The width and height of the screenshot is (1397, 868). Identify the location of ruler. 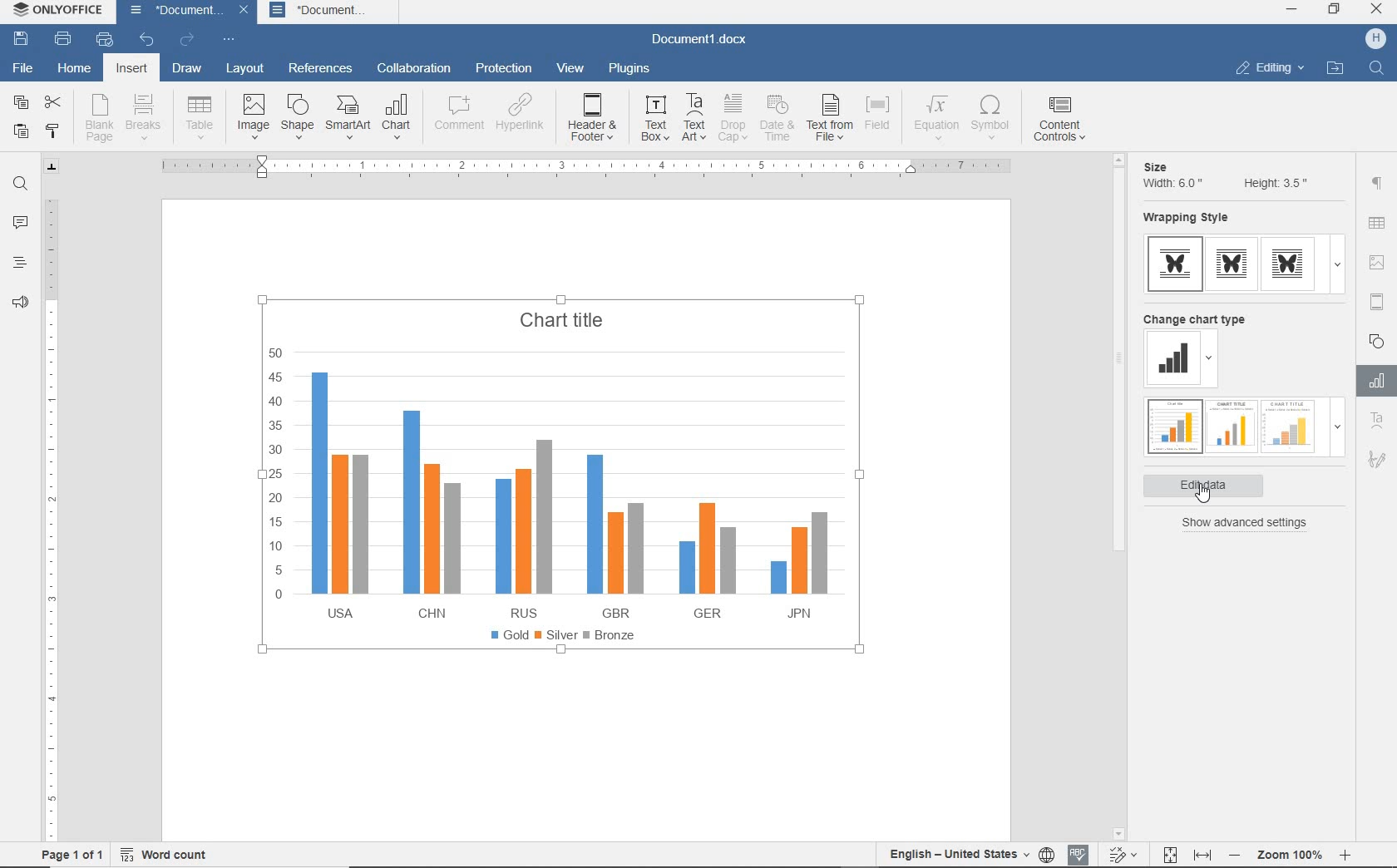
(51, 513).